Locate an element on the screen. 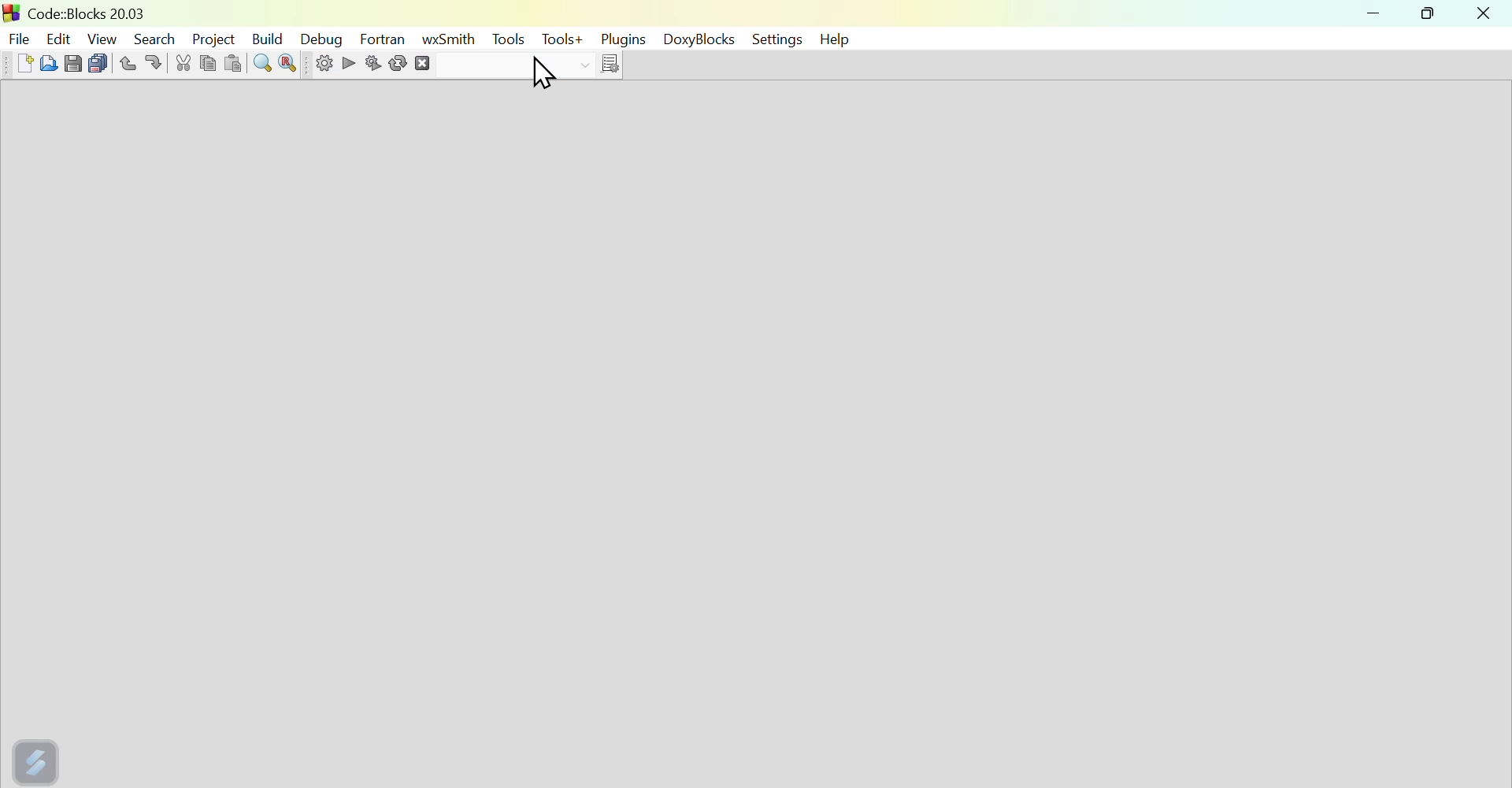 This screenshot has height=788, width=1512.  is located at coordinates (73, 61).